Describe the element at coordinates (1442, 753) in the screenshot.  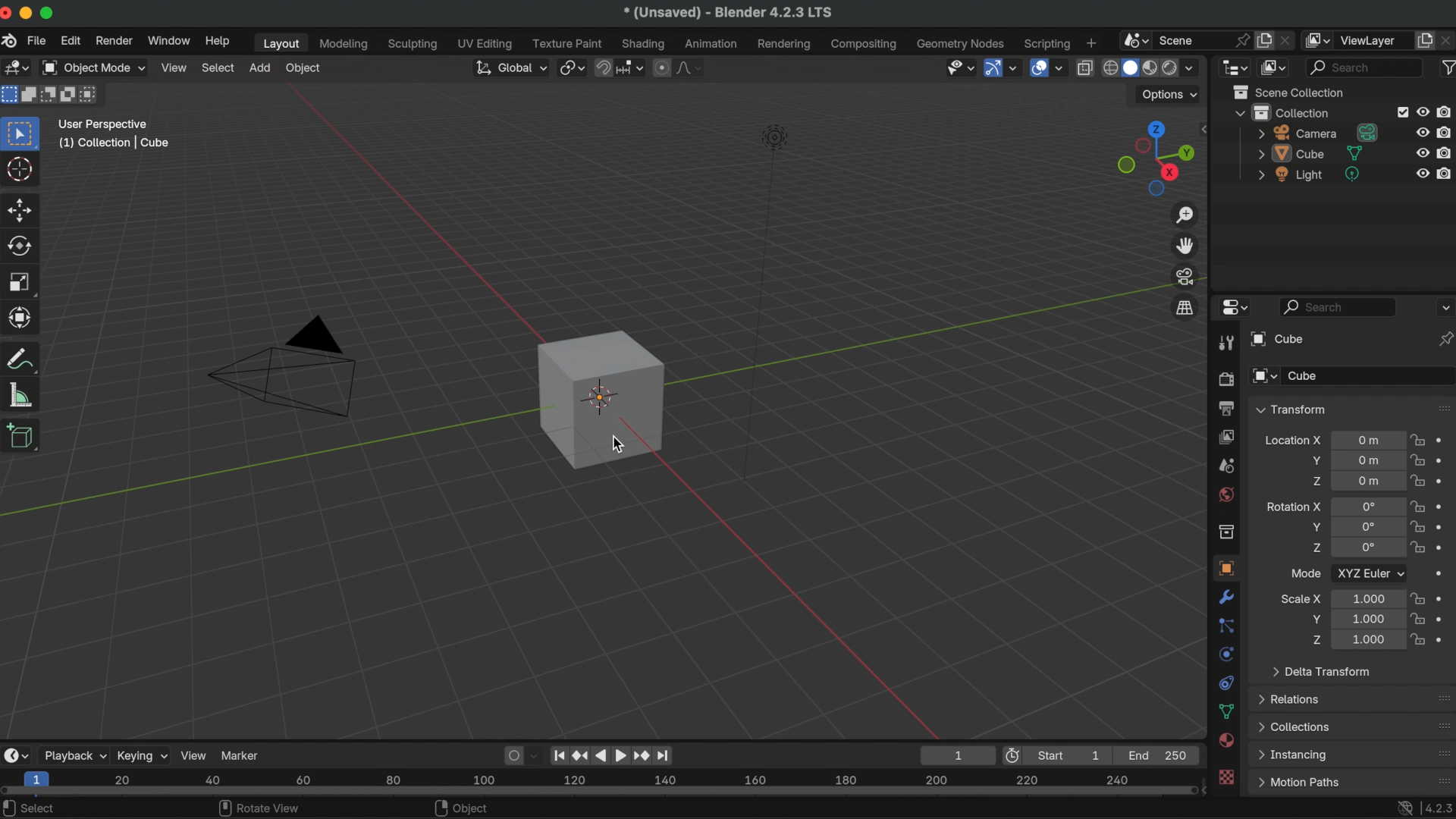
I see `drag handles` at that location.